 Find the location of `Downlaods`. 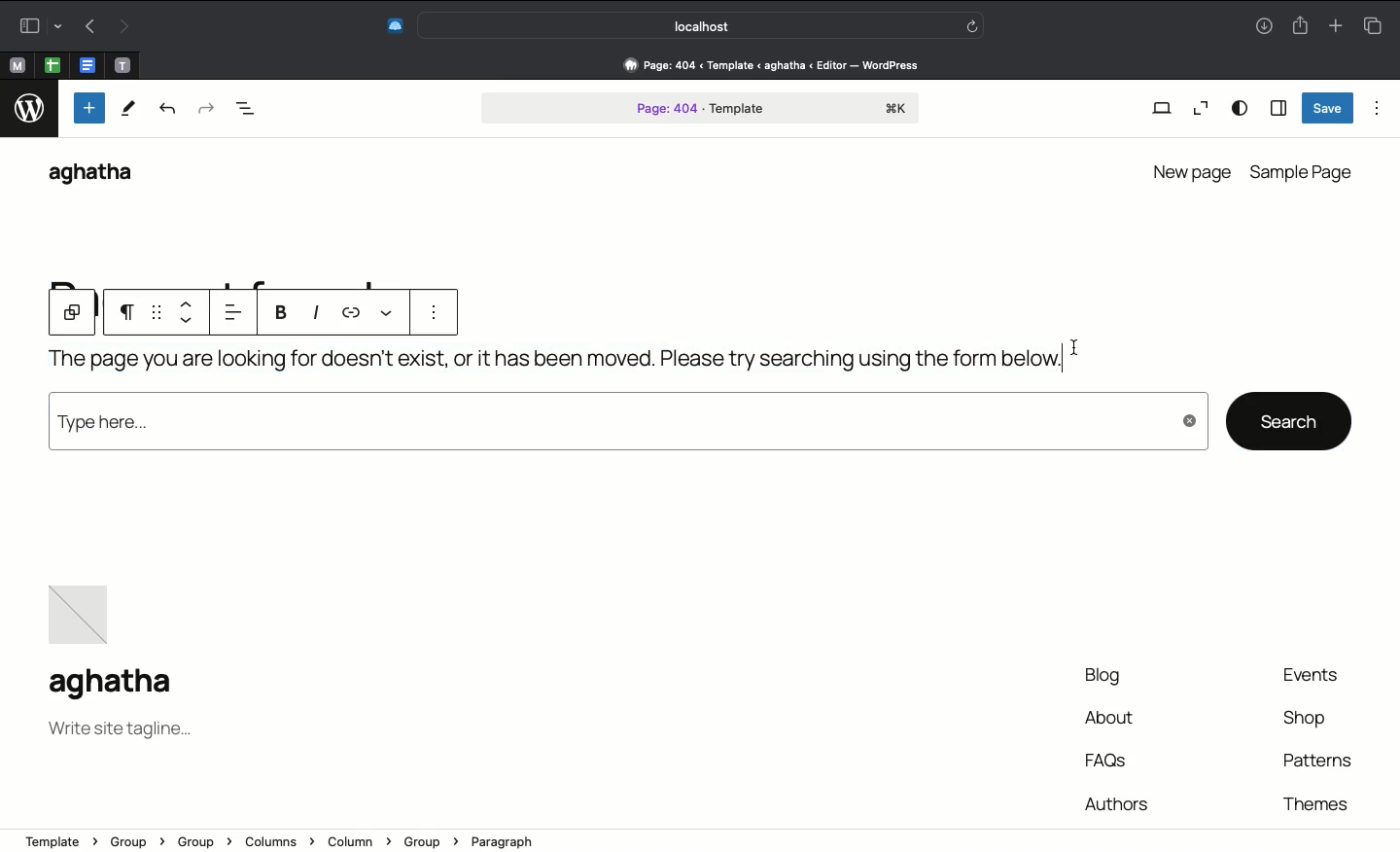

Downlaods is located at coordinates (1264, 28).